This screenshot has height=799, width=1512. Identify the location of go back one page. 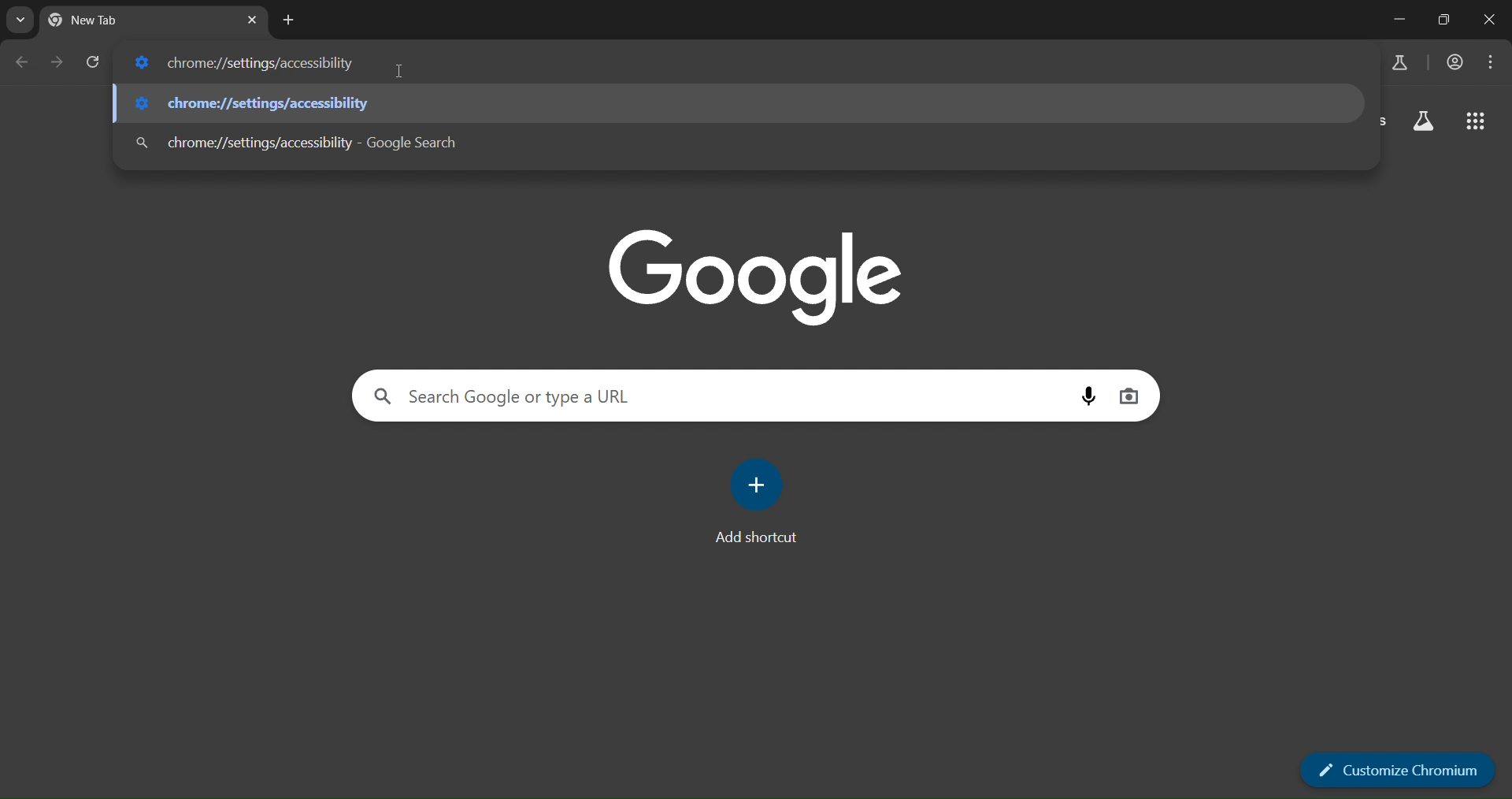
(23, 63).